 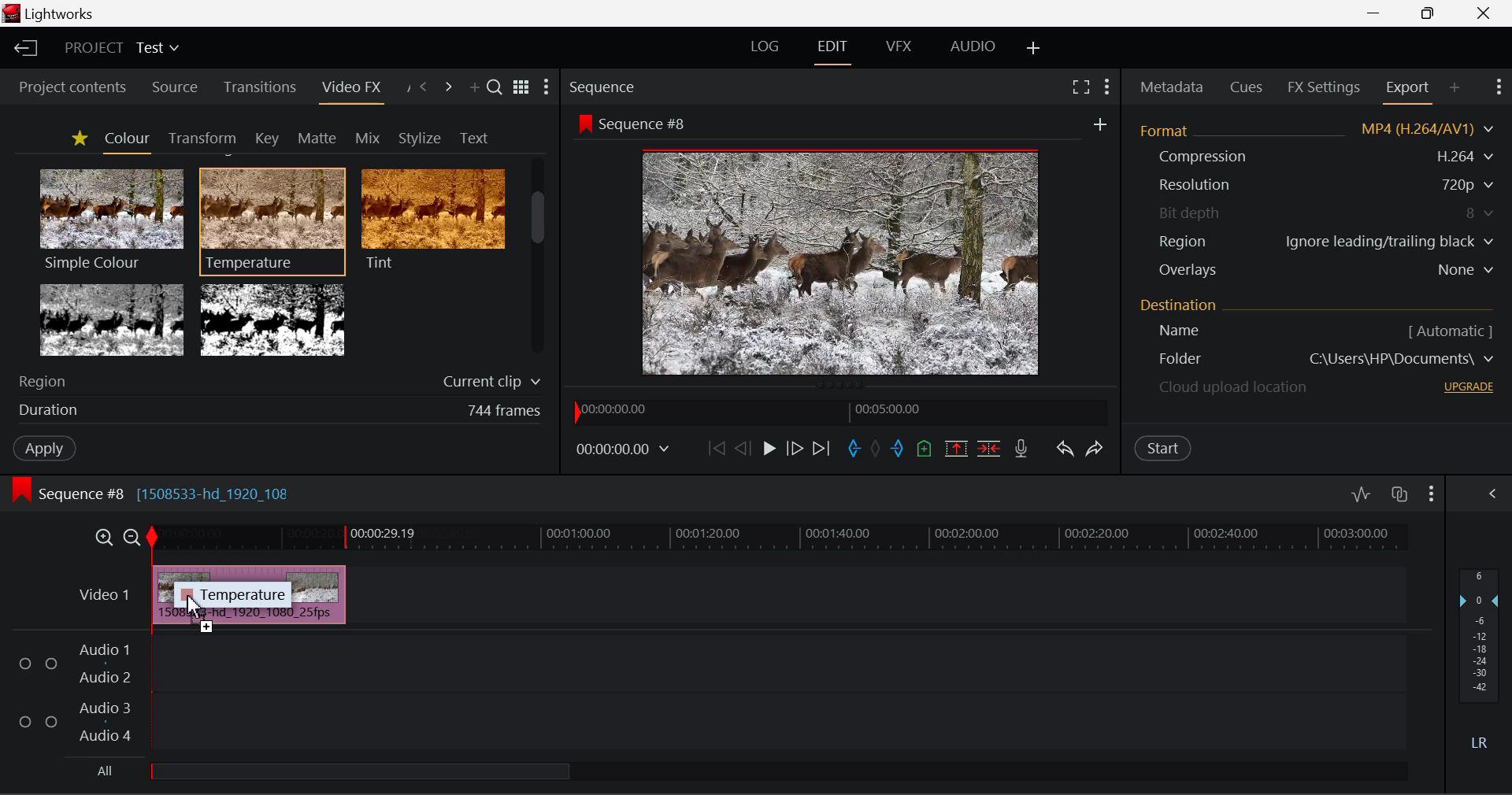 I want to click on Show Settings, so click(x=1499, y=90).